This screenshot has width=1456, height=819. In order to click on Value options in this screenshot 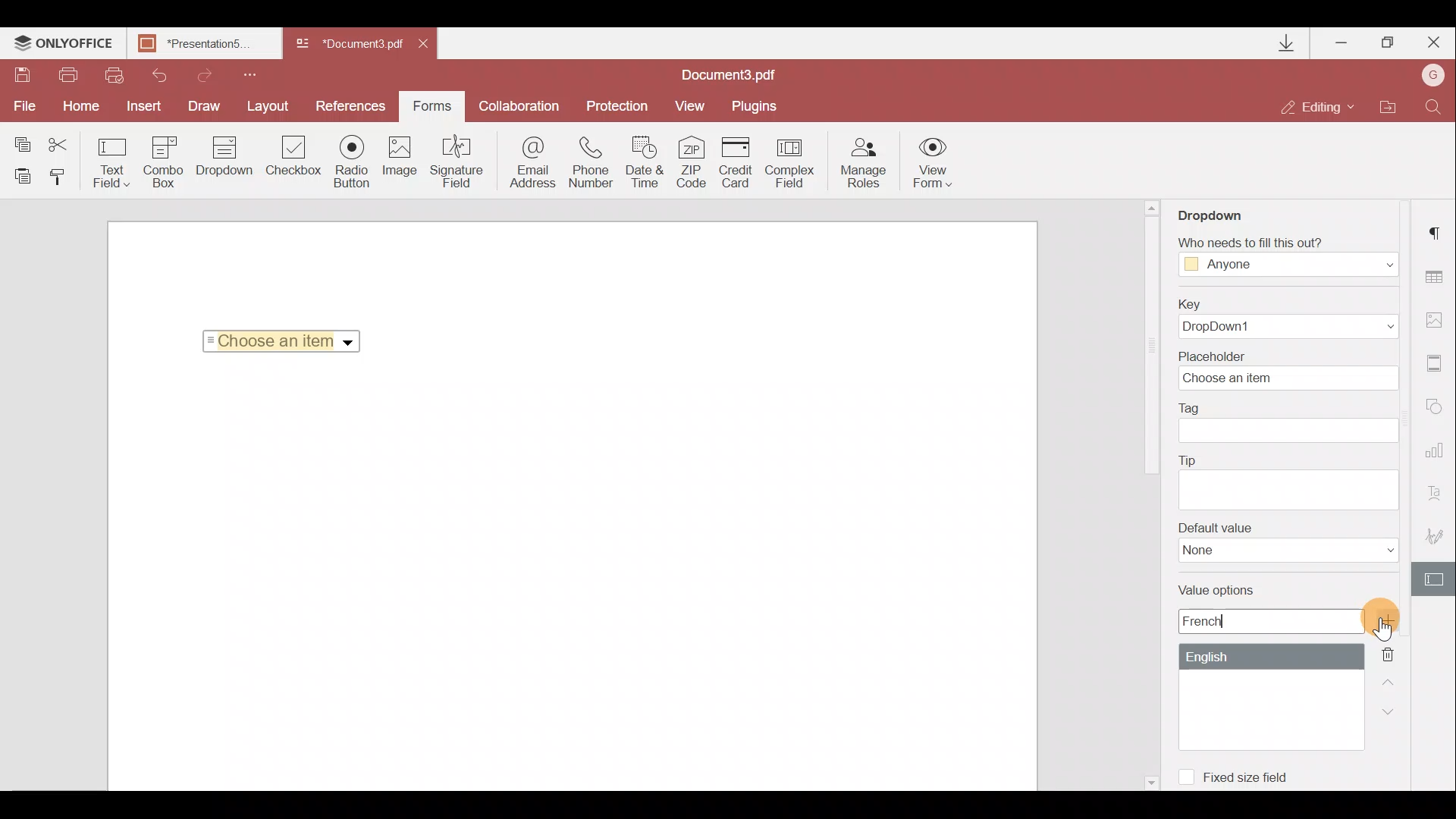, I will do `click(1260, 666)`.